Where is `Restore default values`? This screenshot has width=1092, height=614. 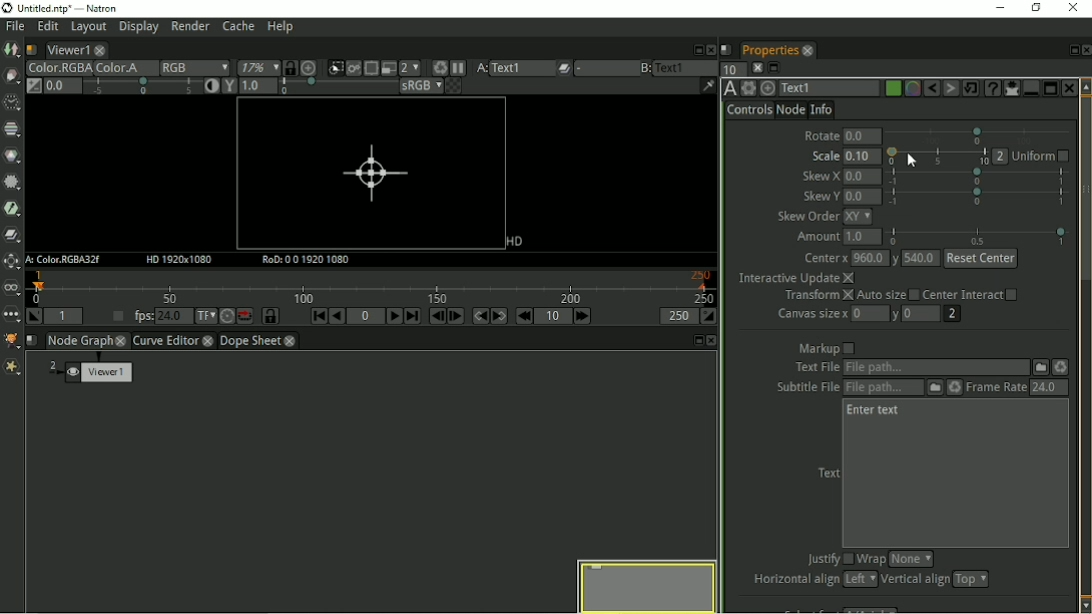 Restore default values is located at coordinates (970, 88).